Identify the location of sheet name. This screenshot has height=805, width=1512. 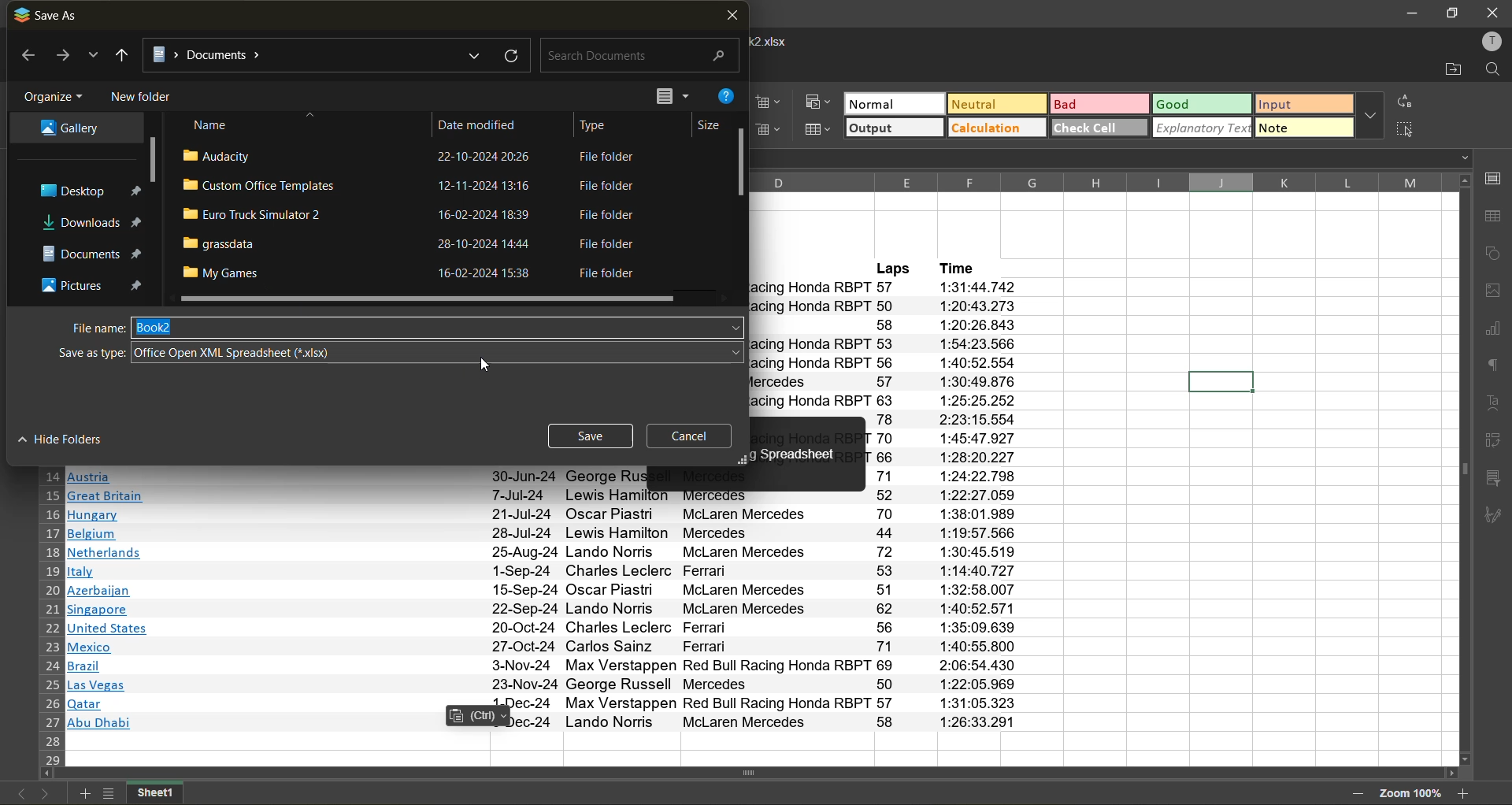
(154, 793).